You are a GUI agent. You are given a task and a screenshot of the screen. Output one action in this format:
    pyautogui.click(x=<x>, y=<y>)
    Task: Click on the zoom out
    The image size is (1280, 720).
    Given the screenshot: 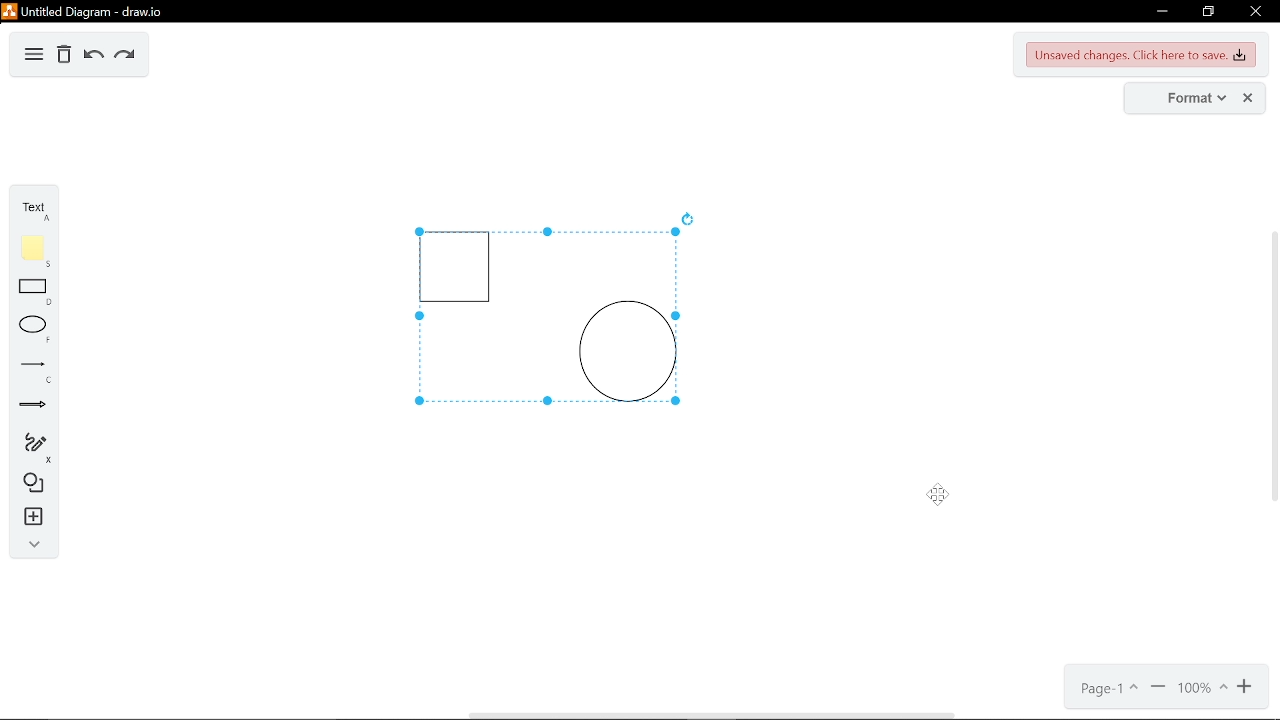 What is the action you would take?
    pyautogui.click(x=1158, y=689)
    